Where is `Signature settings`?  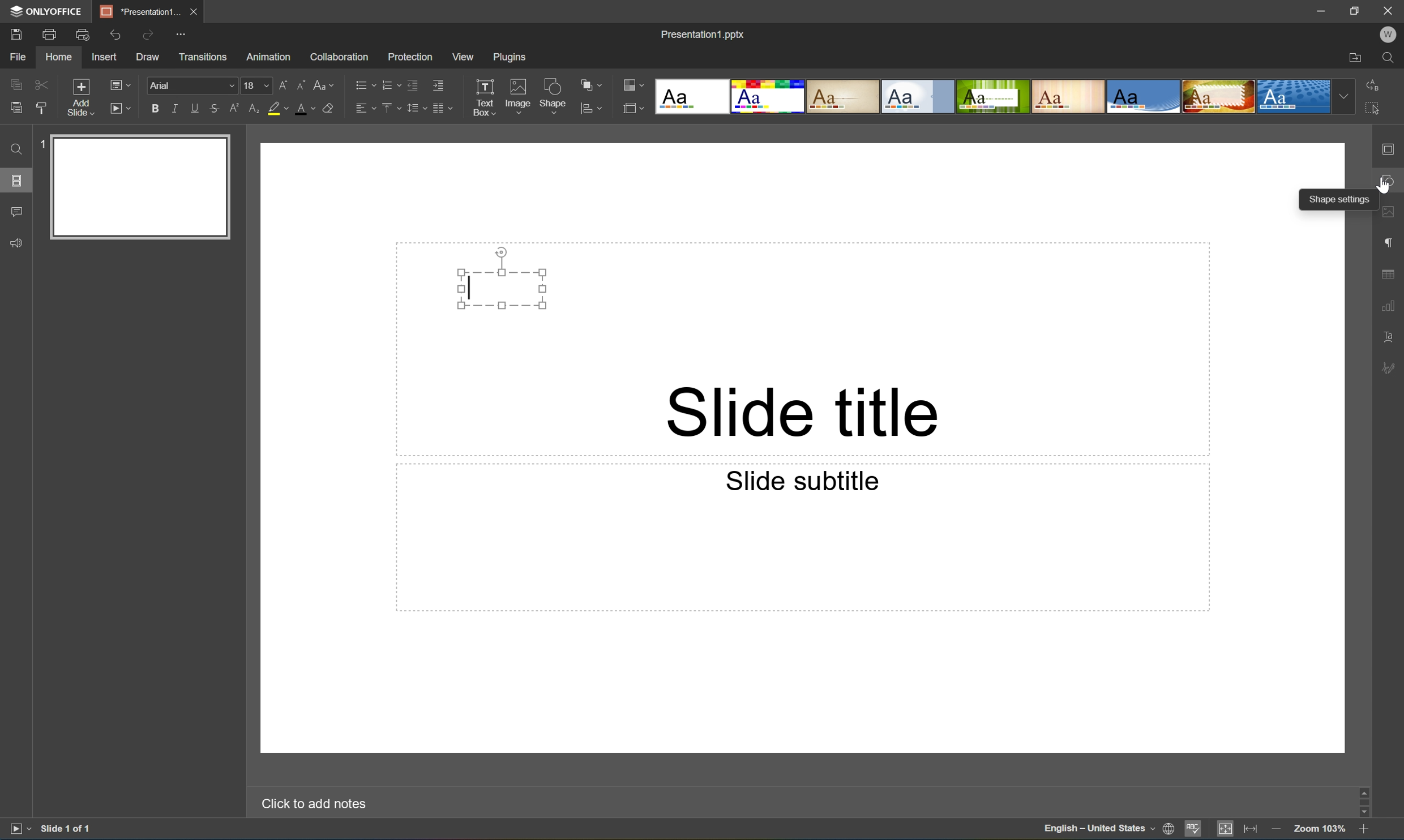
Signature settings is located at coordinates (1391, 367).